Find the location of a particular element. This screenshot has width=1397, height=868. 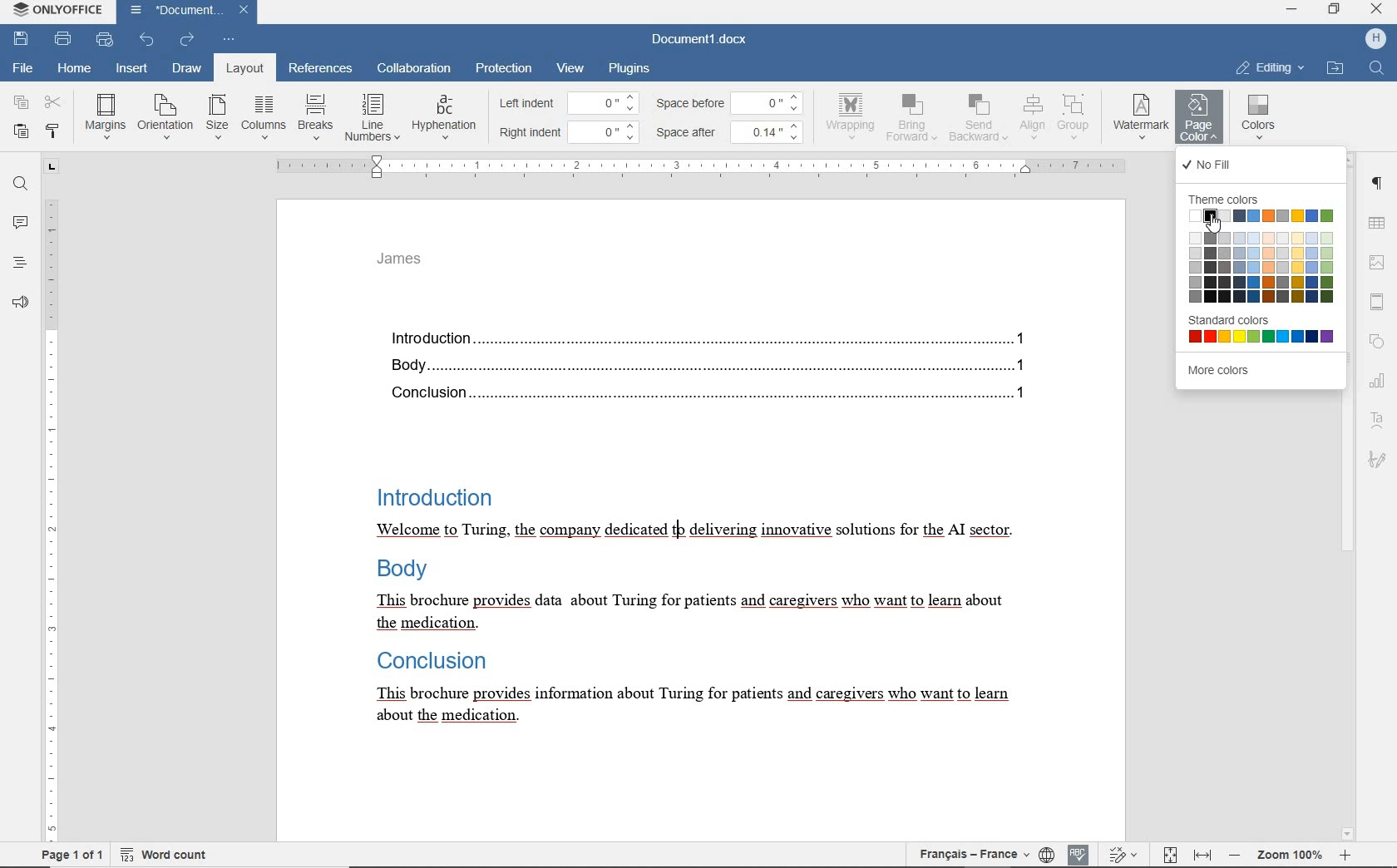

0 is located at coordinates (609, 133).